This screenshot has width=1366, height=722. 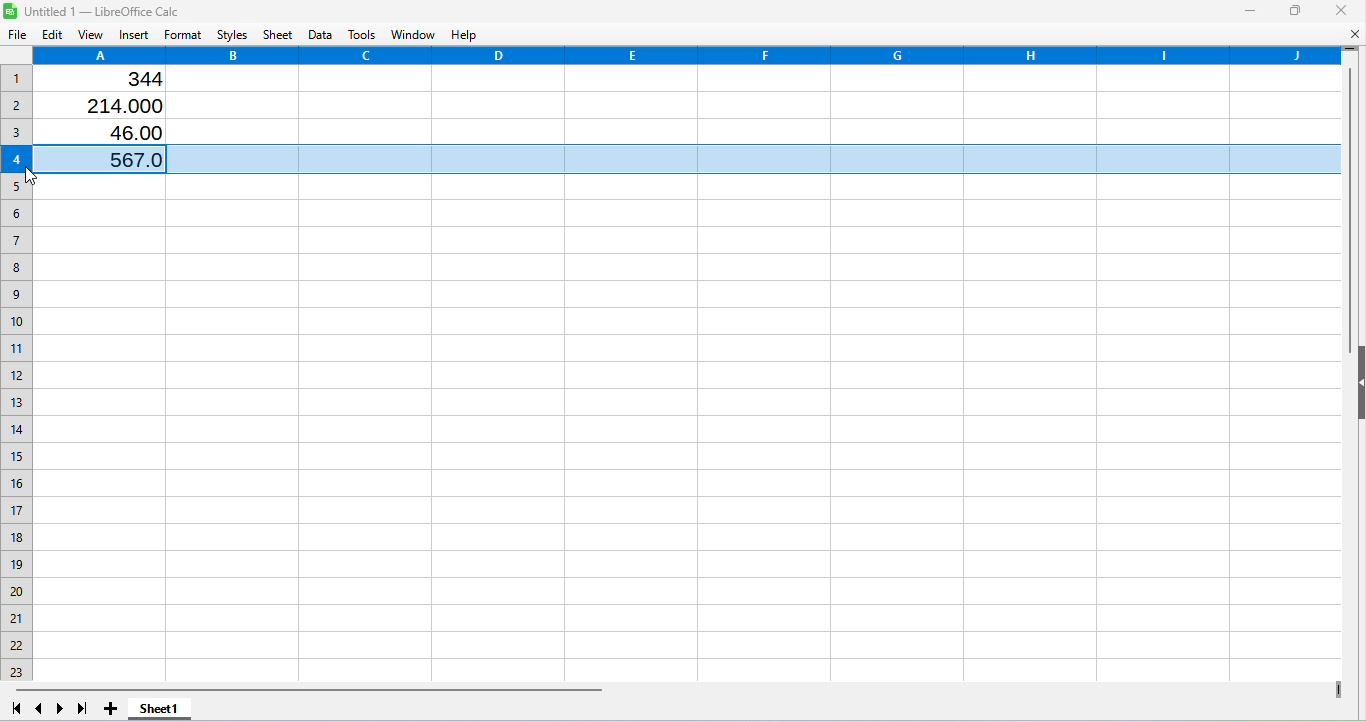 What do you see at coordinates (92, 36) in the screenshot?
I see `View` at bounding box center [92, 36].